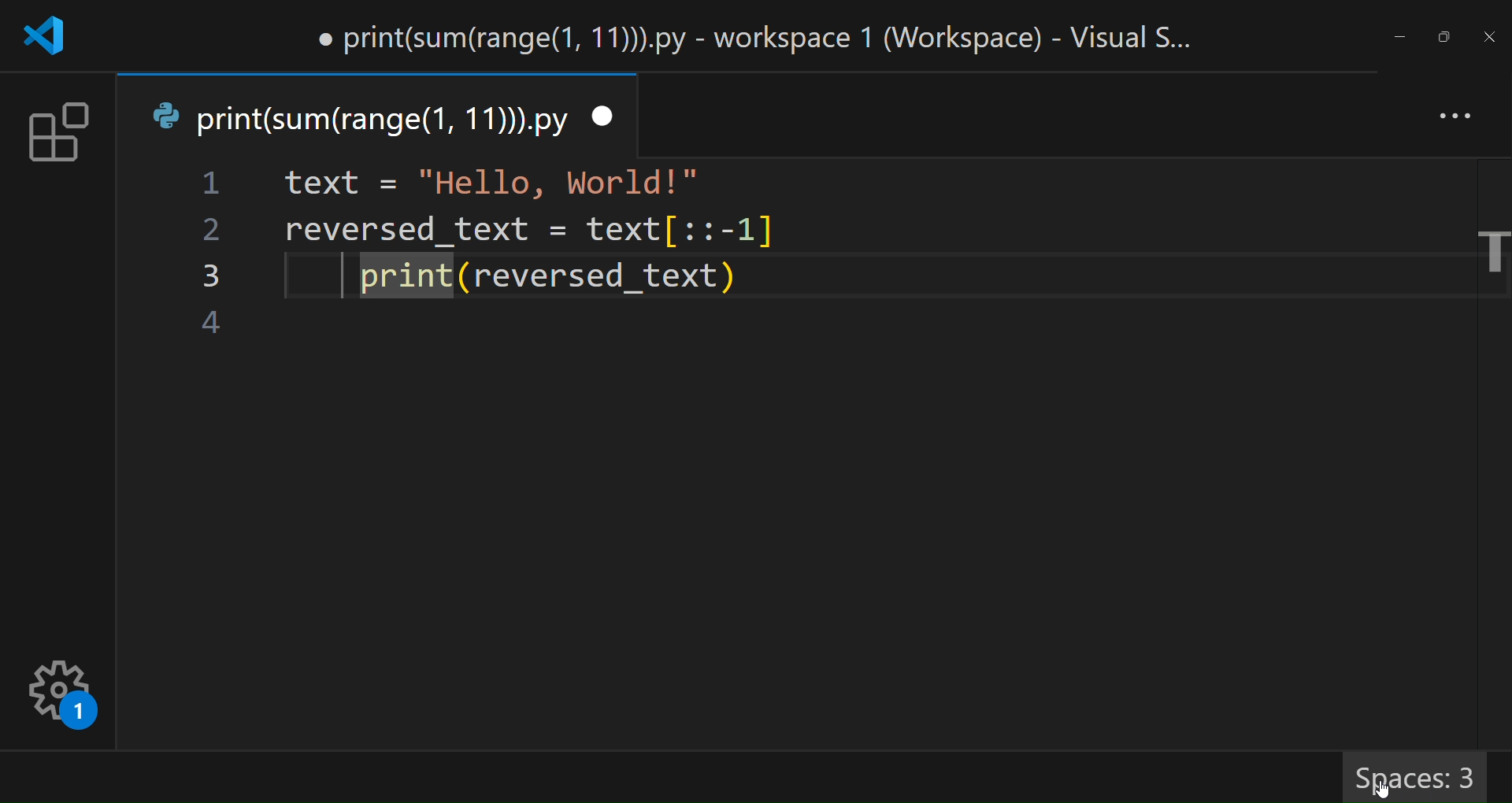  Describe the element at coordinates (1488, 36) in the screenshot. I see `close` at that location.